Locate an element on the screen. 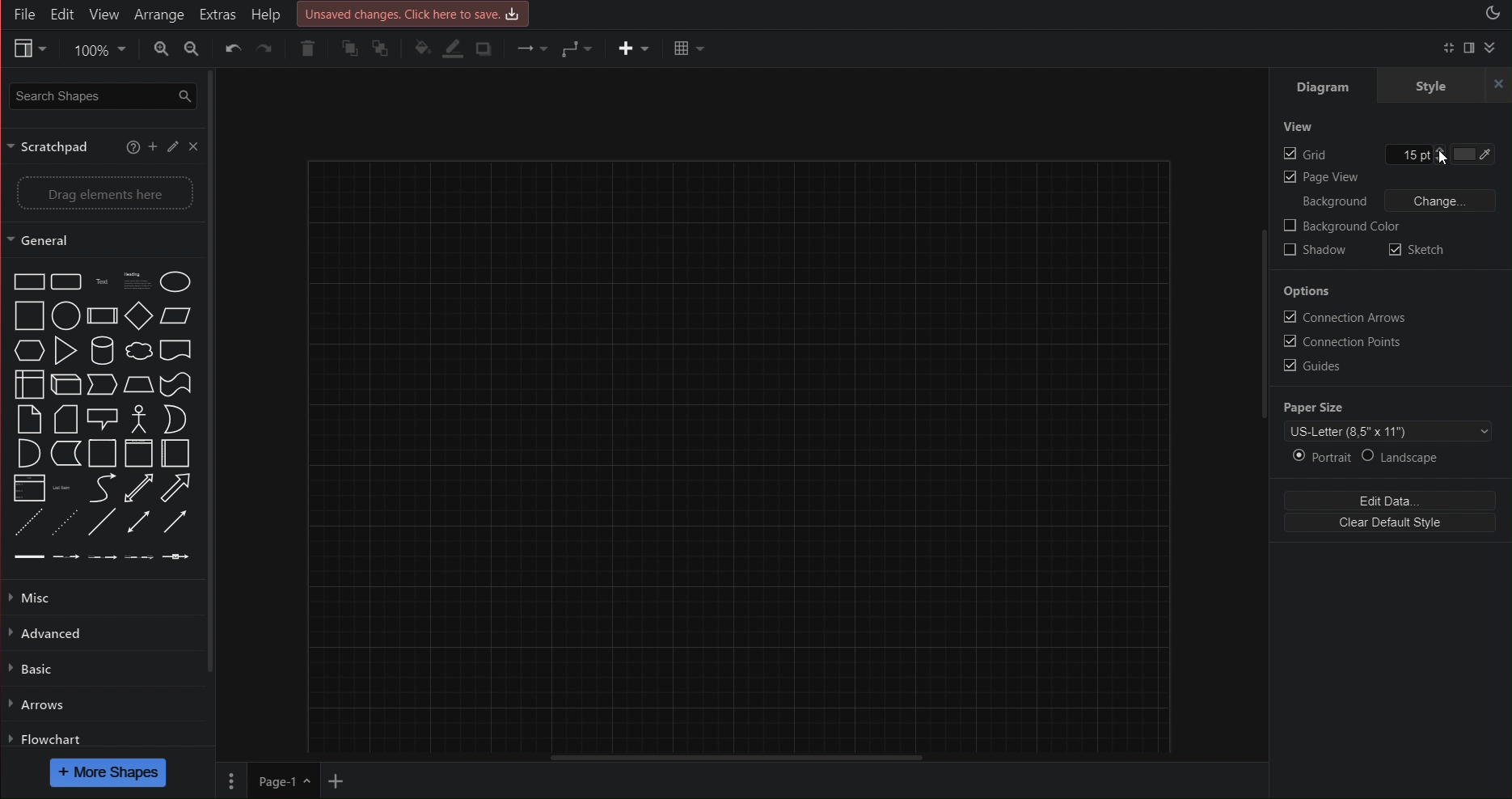  rectangle is located at coordinates (65, 277).